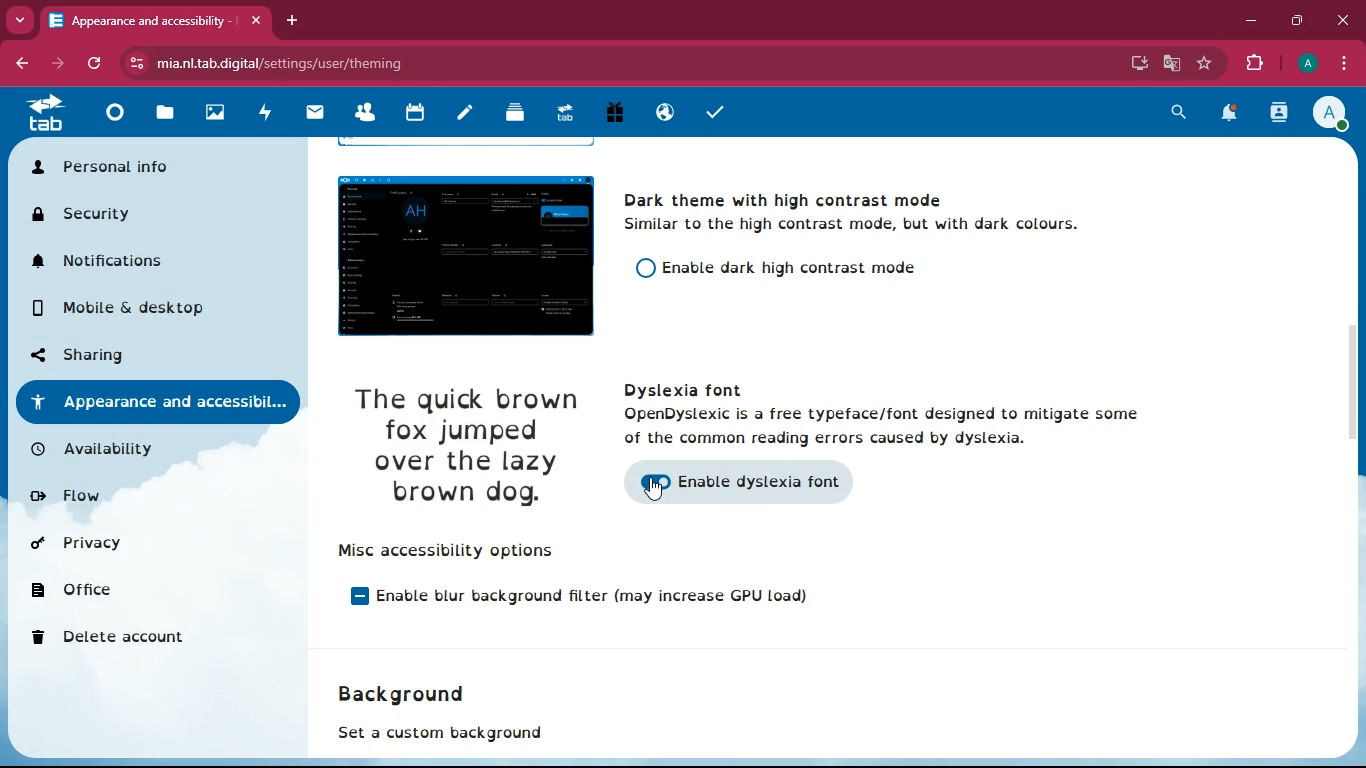 Image resolution: width=1366 pixels, height=768 pixels. I want to click on enable, so click(679, 416).